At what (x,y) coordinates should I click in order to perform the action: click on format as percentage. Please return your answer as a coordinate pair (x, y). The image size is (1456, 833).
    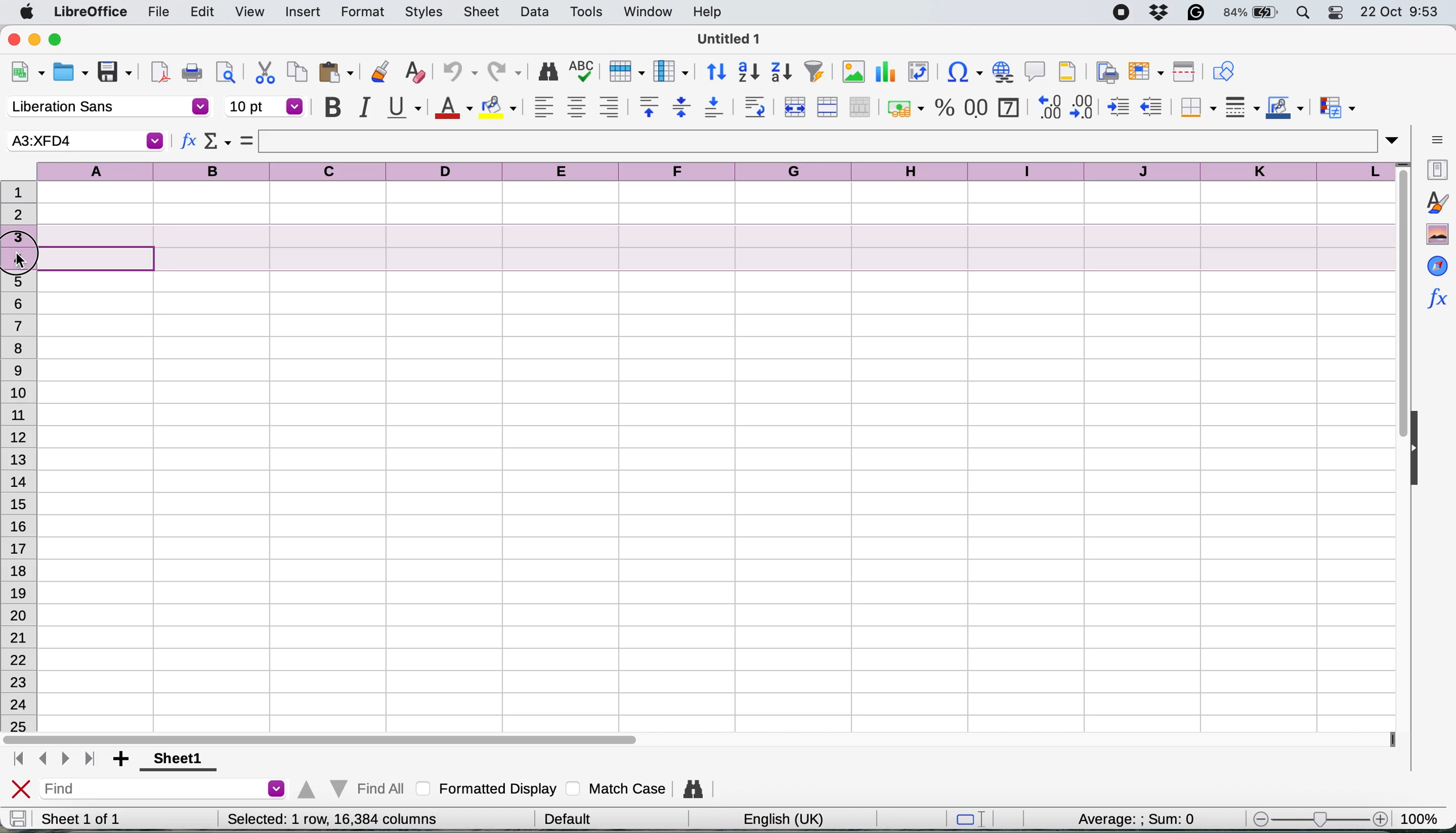
    Looking at the image, I should click on (945, 108).